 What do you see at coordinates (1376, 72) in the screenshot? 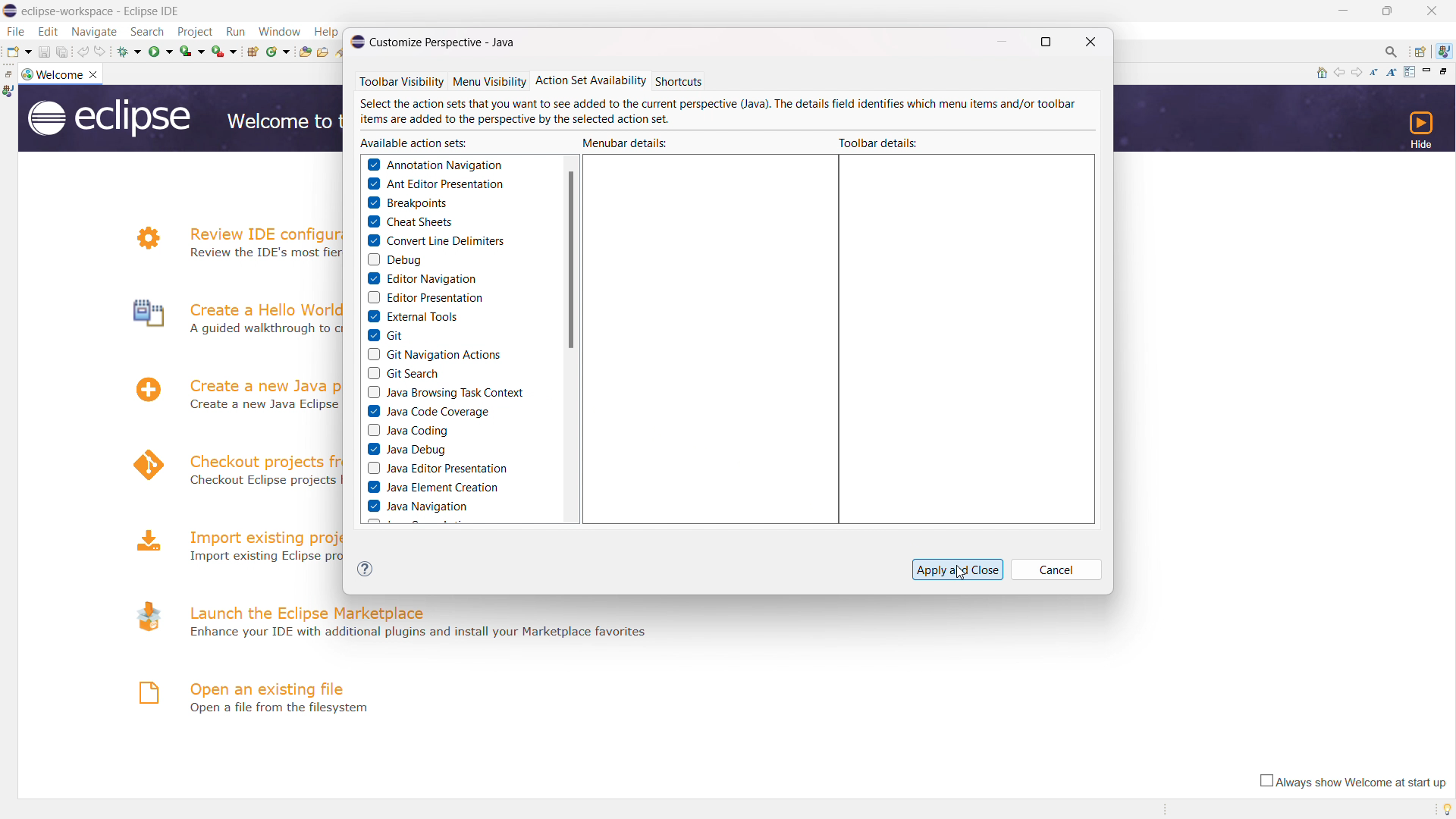
I see `reduce` at bounding box center [1376, 72].